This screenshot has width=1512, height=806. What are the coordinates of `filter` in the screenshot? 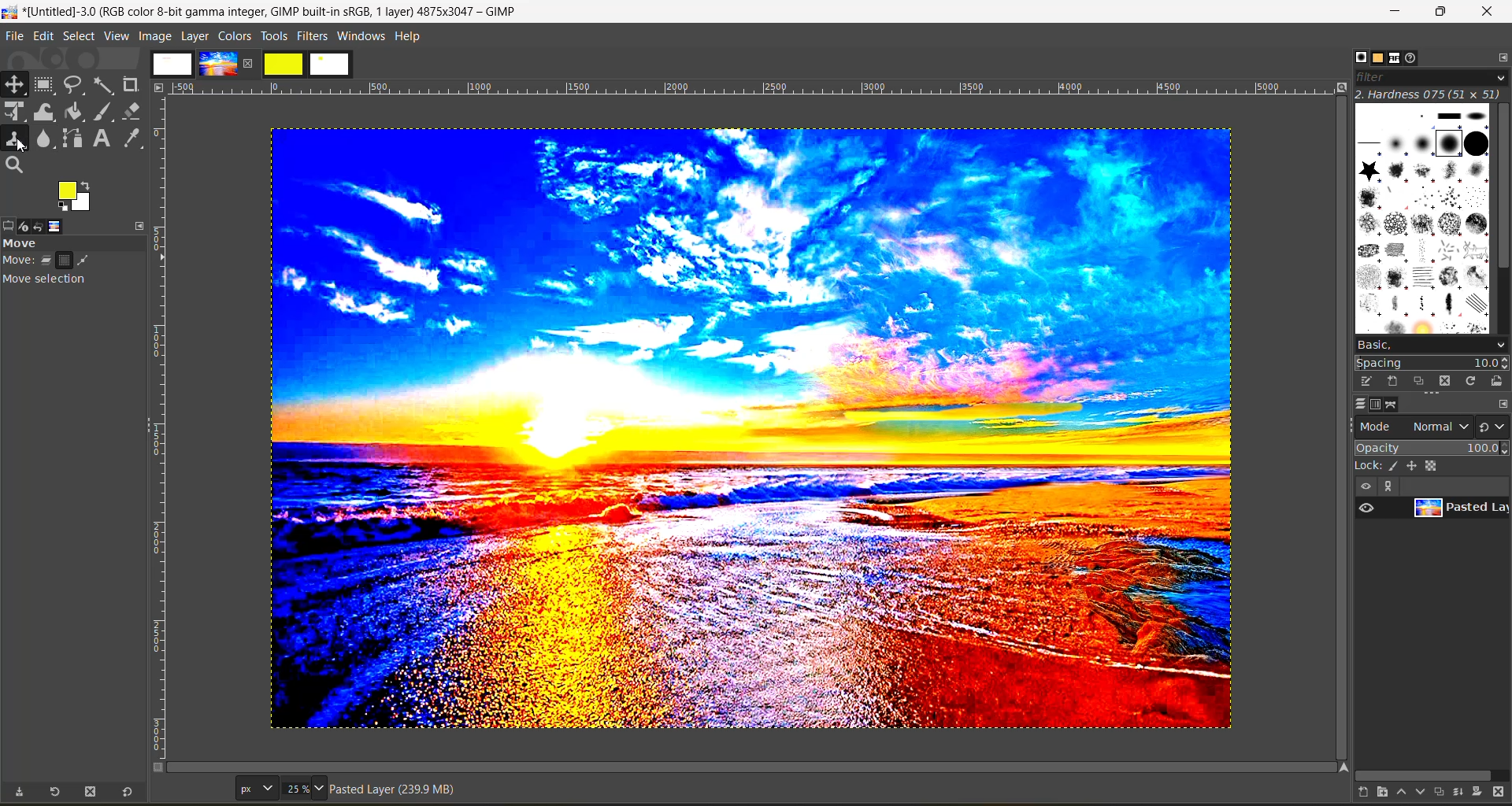 It's located at (1429, 76).